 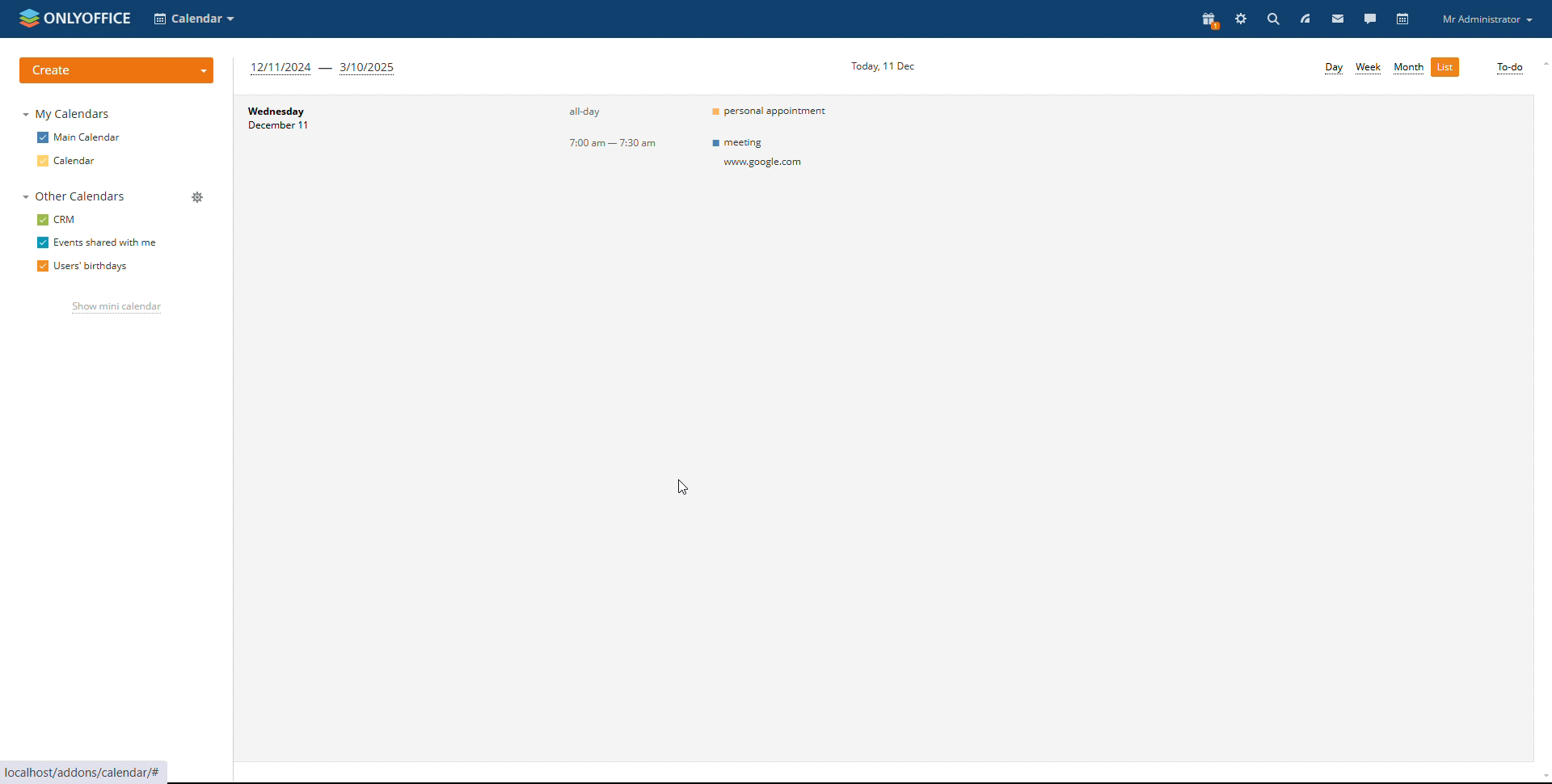 I want to click on list view, so click(x=1445, y=66).